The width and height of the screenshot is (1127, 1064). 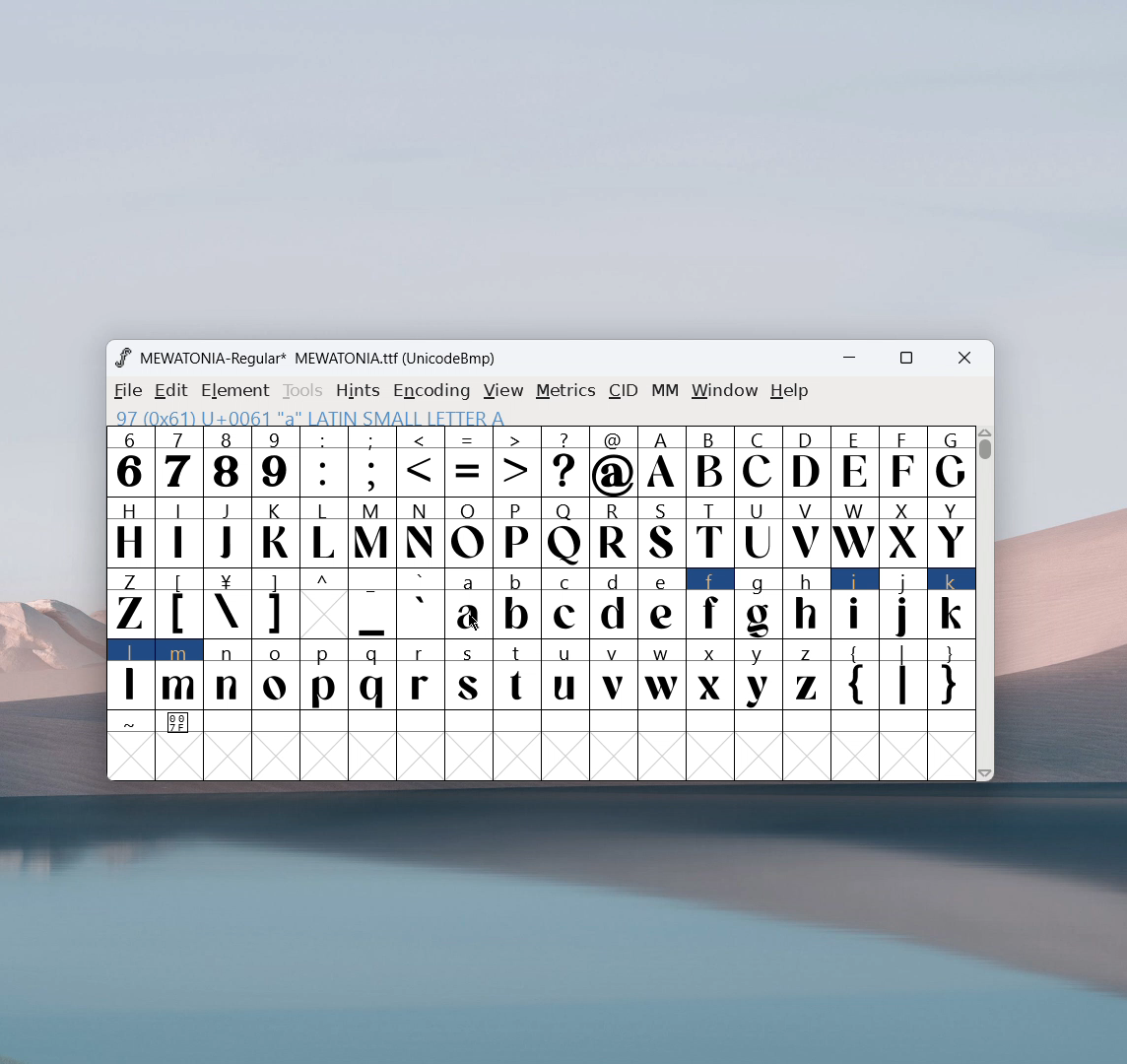 What do you see at coordinates (360, 390) in the screenshot?
I see `hints` at bounding box center [360, 390].